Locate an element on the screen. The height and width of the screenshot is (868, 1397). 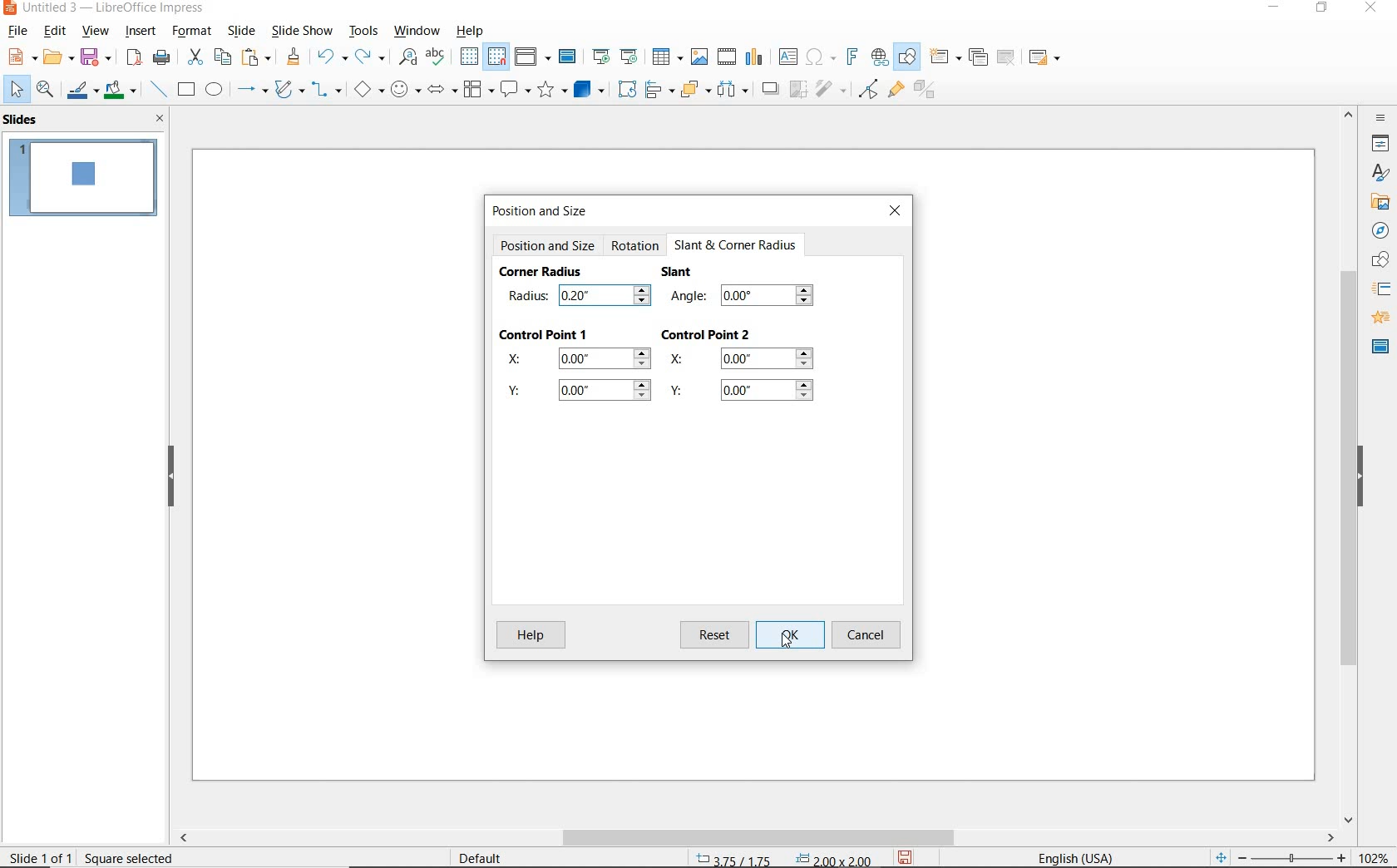
master slides is located at coordinates (1375, 348).